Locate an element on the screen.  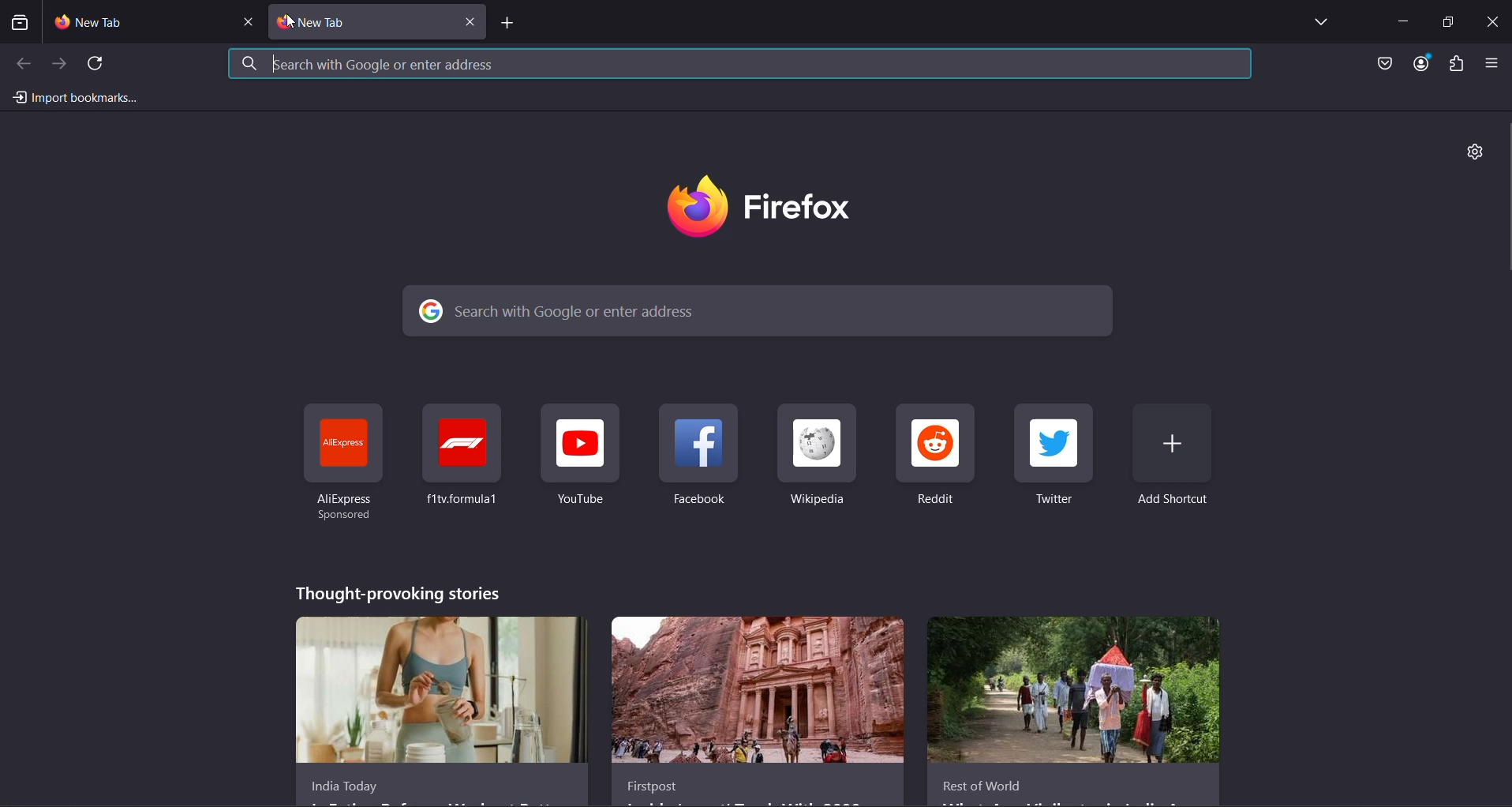
shortcuts is located at coordinates (345, 463).